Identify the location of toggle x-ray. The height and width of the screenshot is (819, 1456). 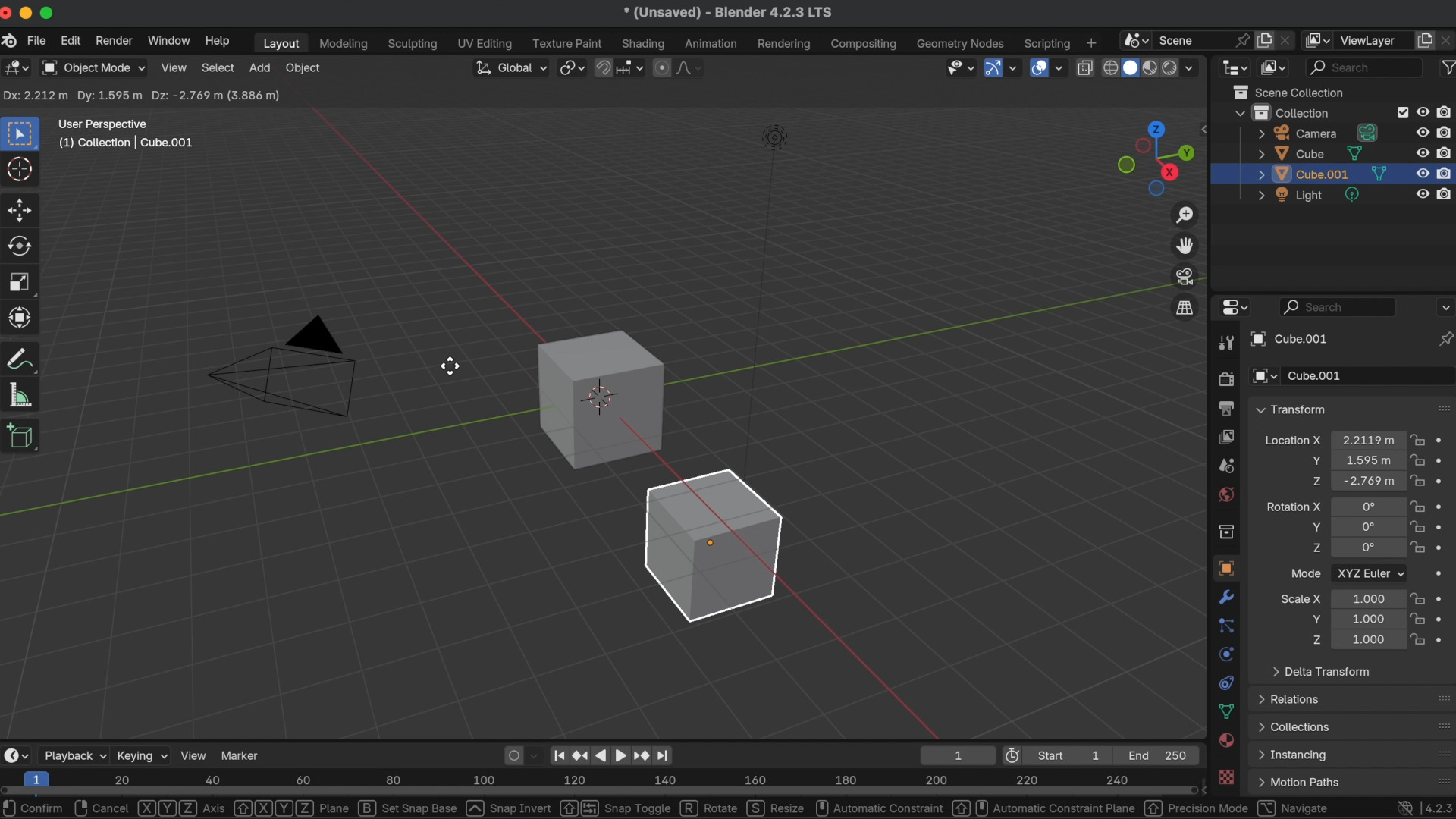
(1084, 67).